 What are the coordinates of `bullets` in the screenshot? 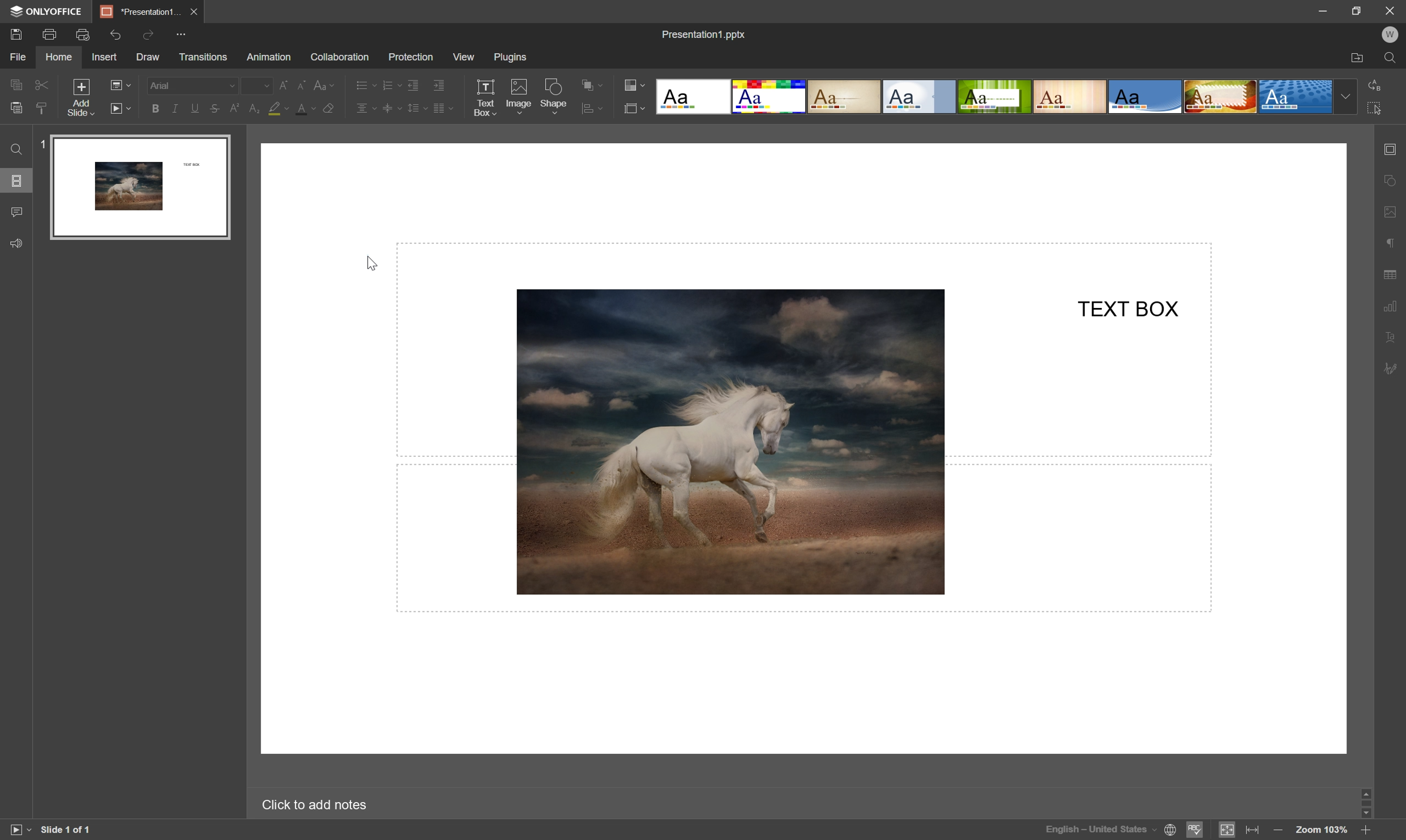 It's located at (364, 84).